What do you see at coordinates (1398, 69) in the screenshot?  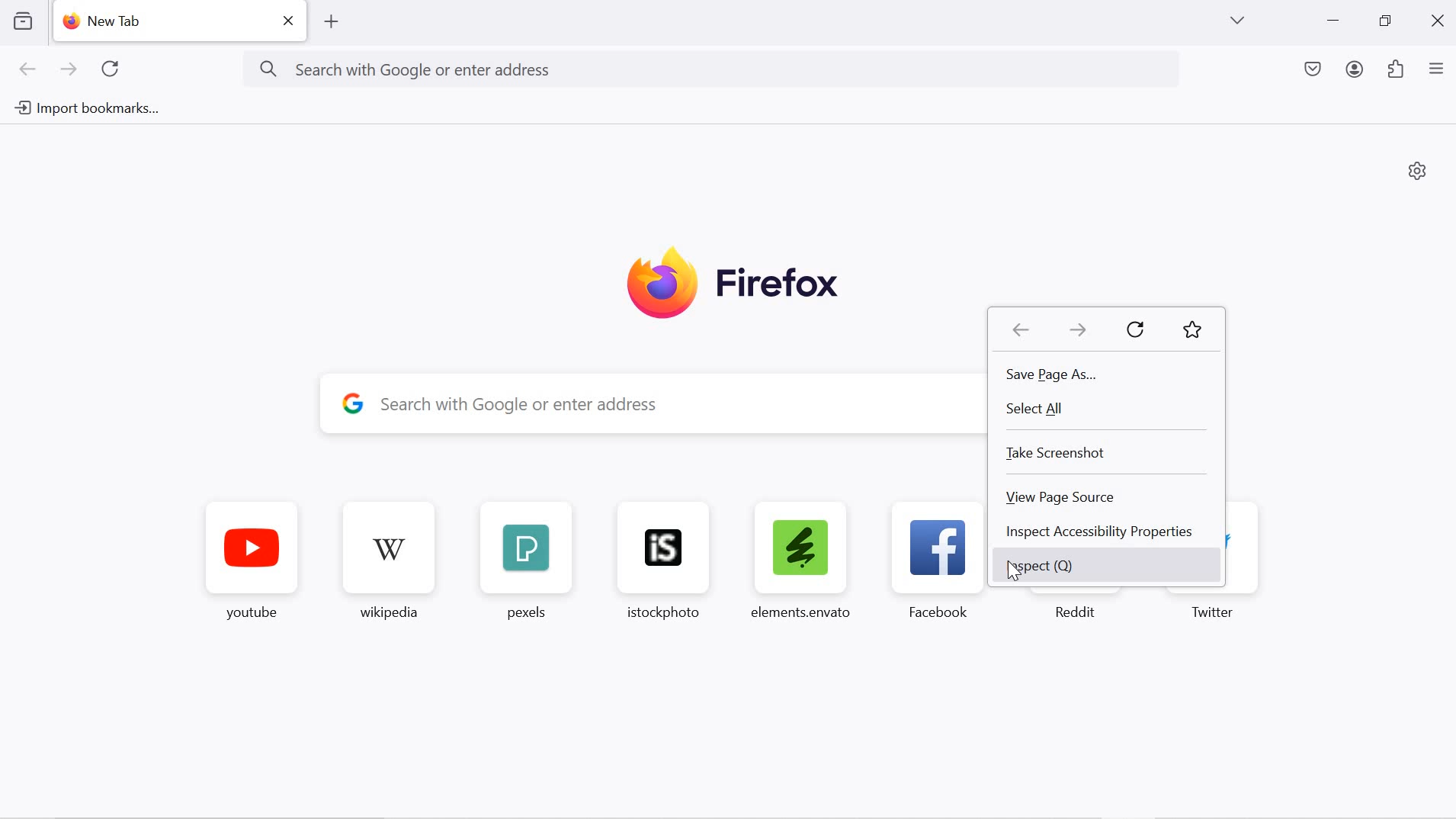 I see `extensions` at bounding box center [1398, 69].